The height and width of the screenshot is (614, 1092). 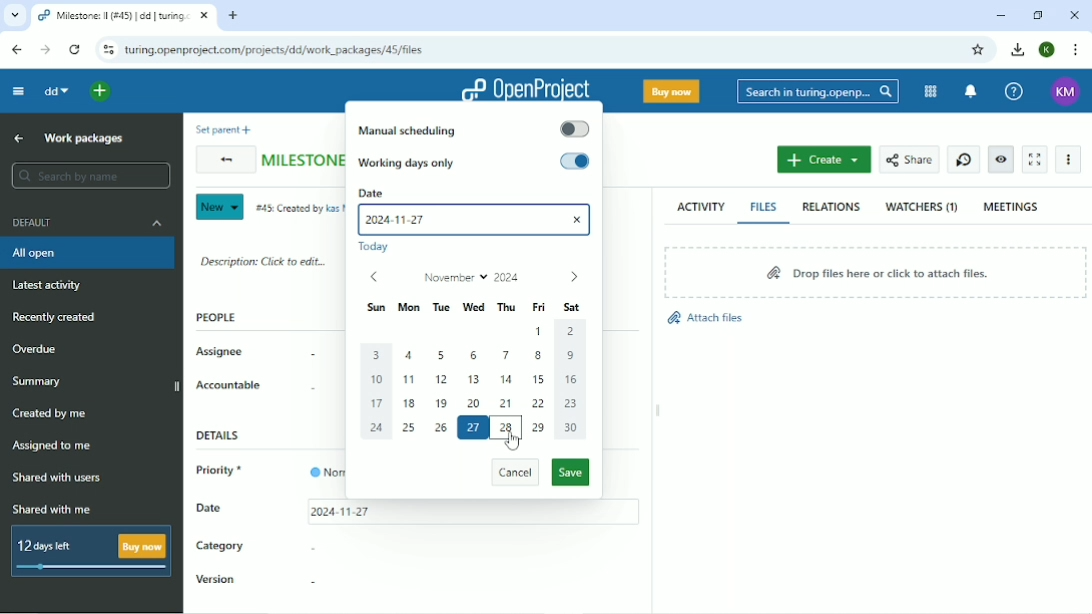 What do you see at coordinates (931, 92) in the screenshot?
I see `Modules` at bounding box center [931, 92].